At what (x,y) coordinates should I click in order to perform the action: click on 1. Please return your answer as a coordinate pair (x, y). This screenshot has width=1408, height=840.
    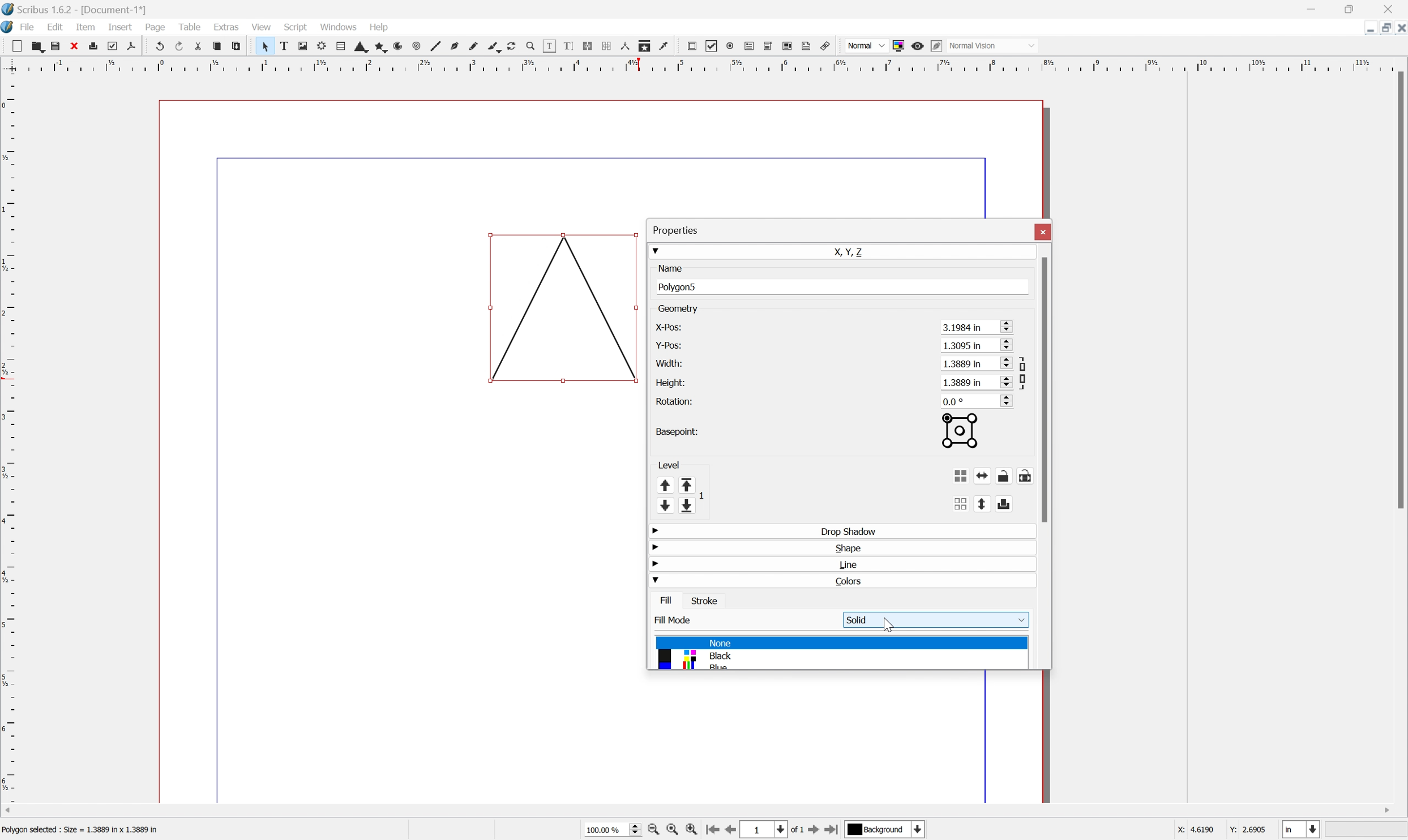
    Looking at the image, I should click on (757, 830).